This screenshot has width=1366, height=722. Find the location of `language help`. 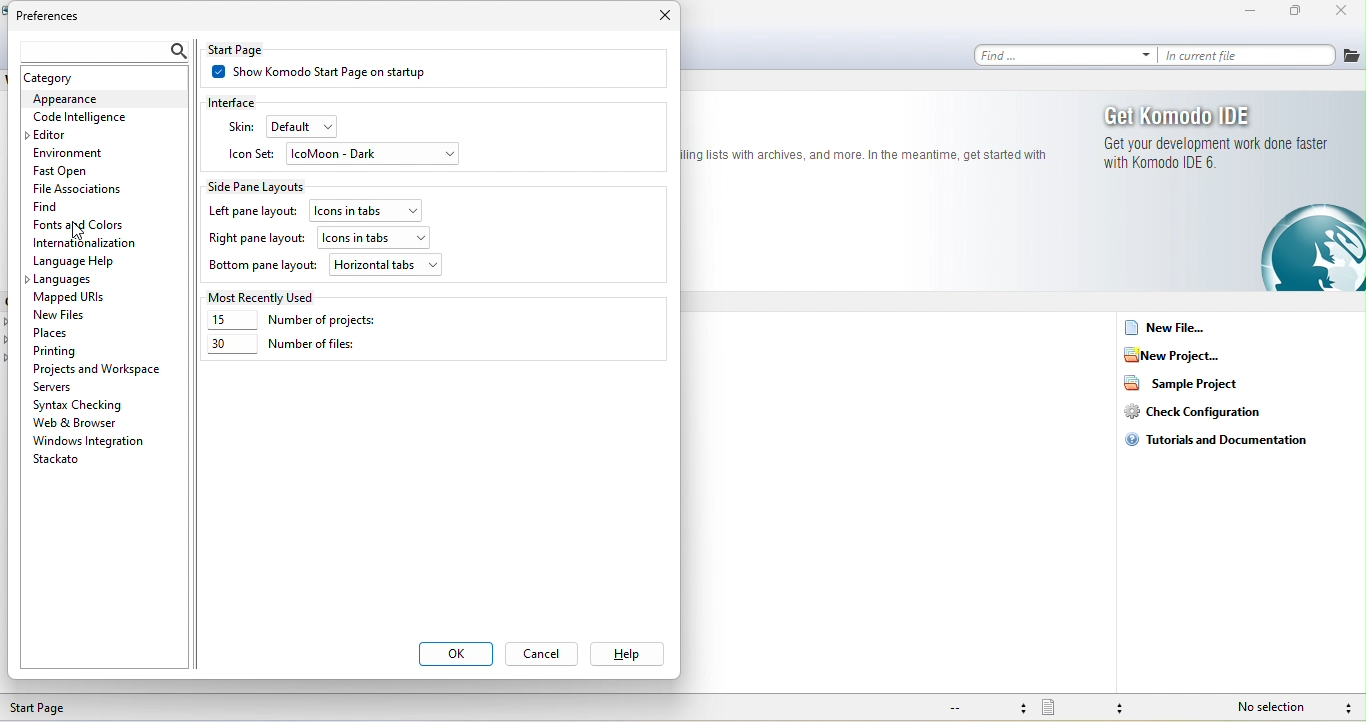

language help is located at coordinates (87, 260).